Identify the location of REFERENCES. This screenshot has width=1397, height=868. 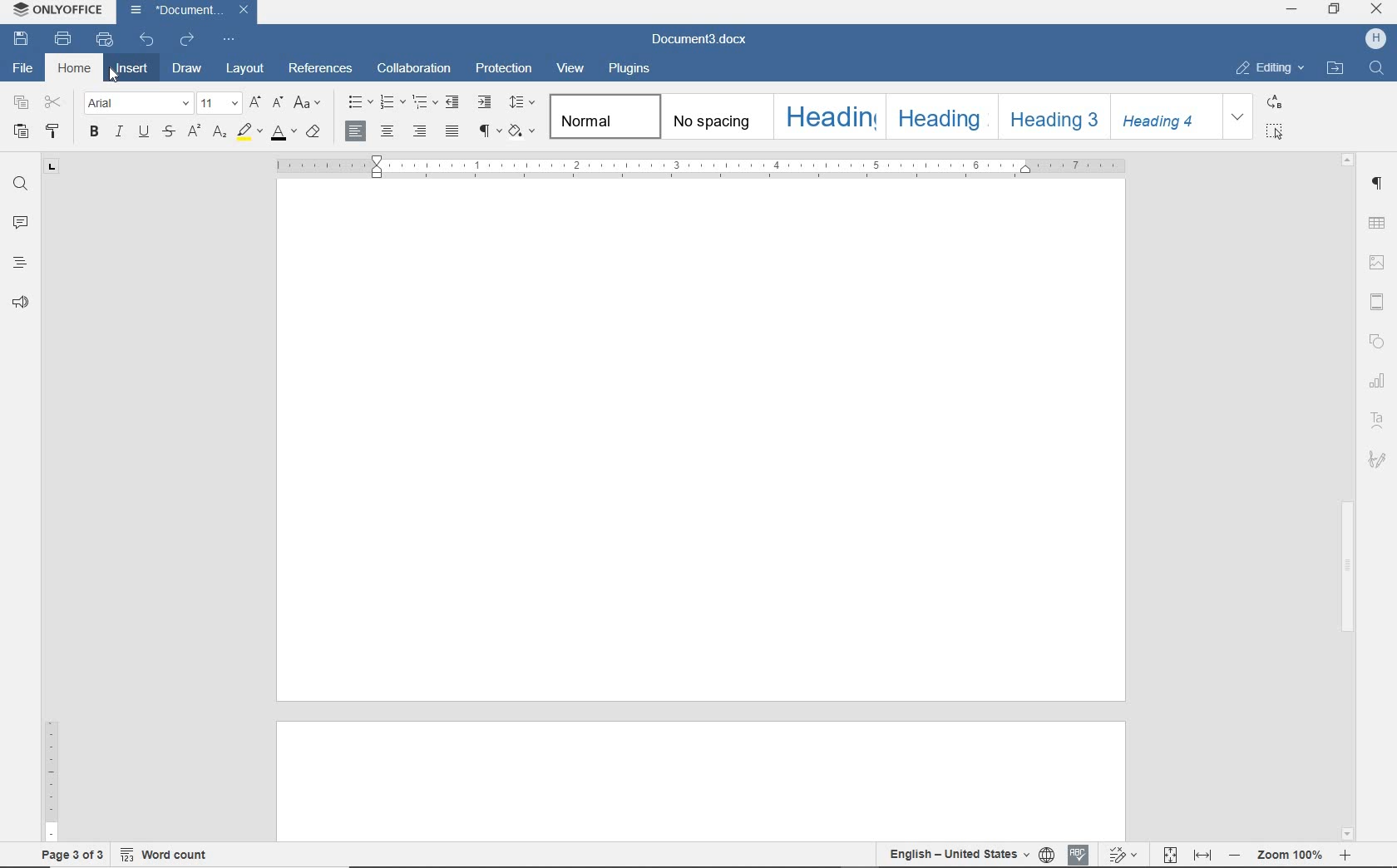
(320, 69).